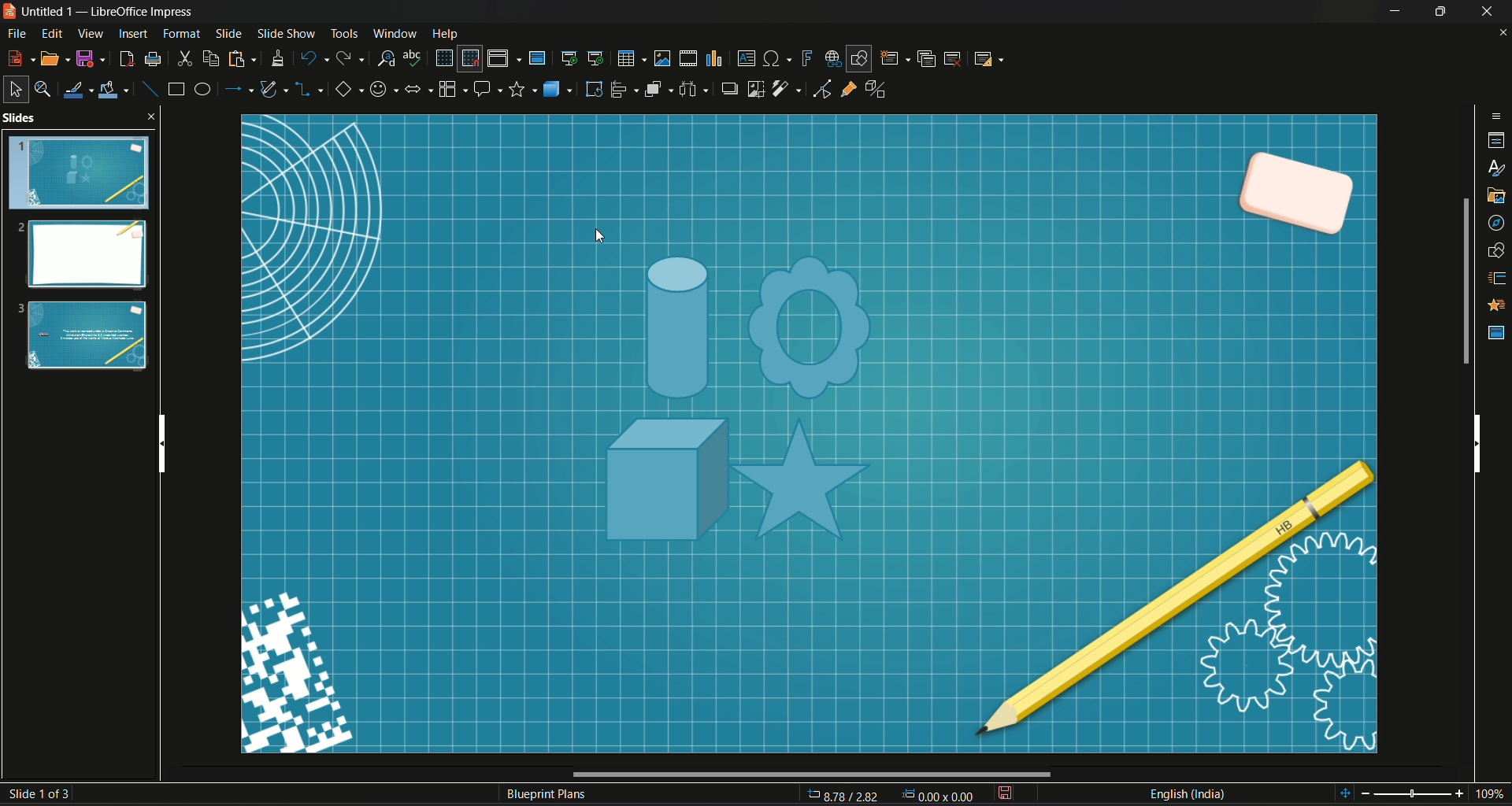  Describe the element at coordinates (1498, 279) in the screenshot. I see `slide transition` at that location.